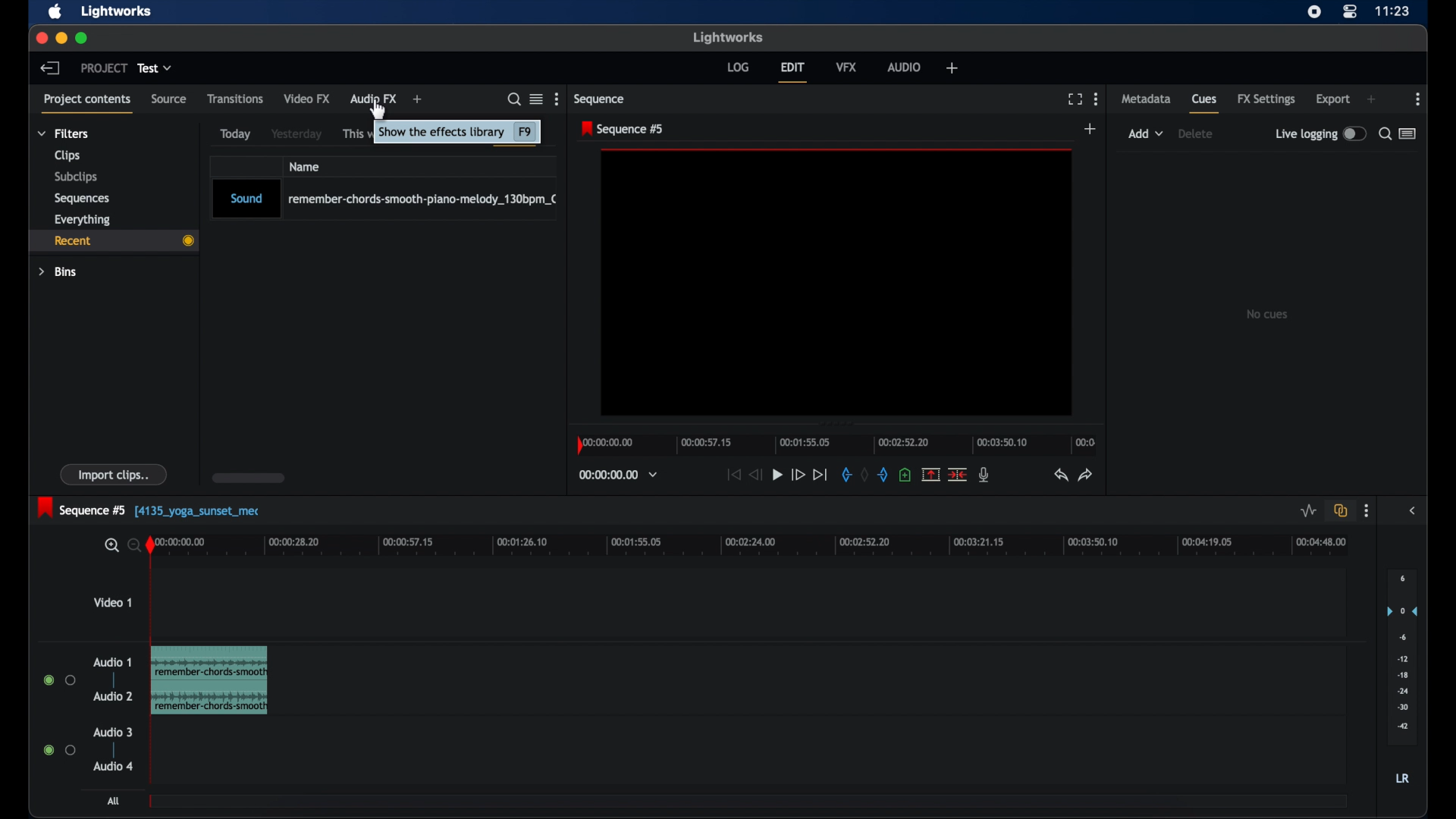 The height and width of the screenshot is (819, 1456). I want to click on subclips, so click(77, 177).